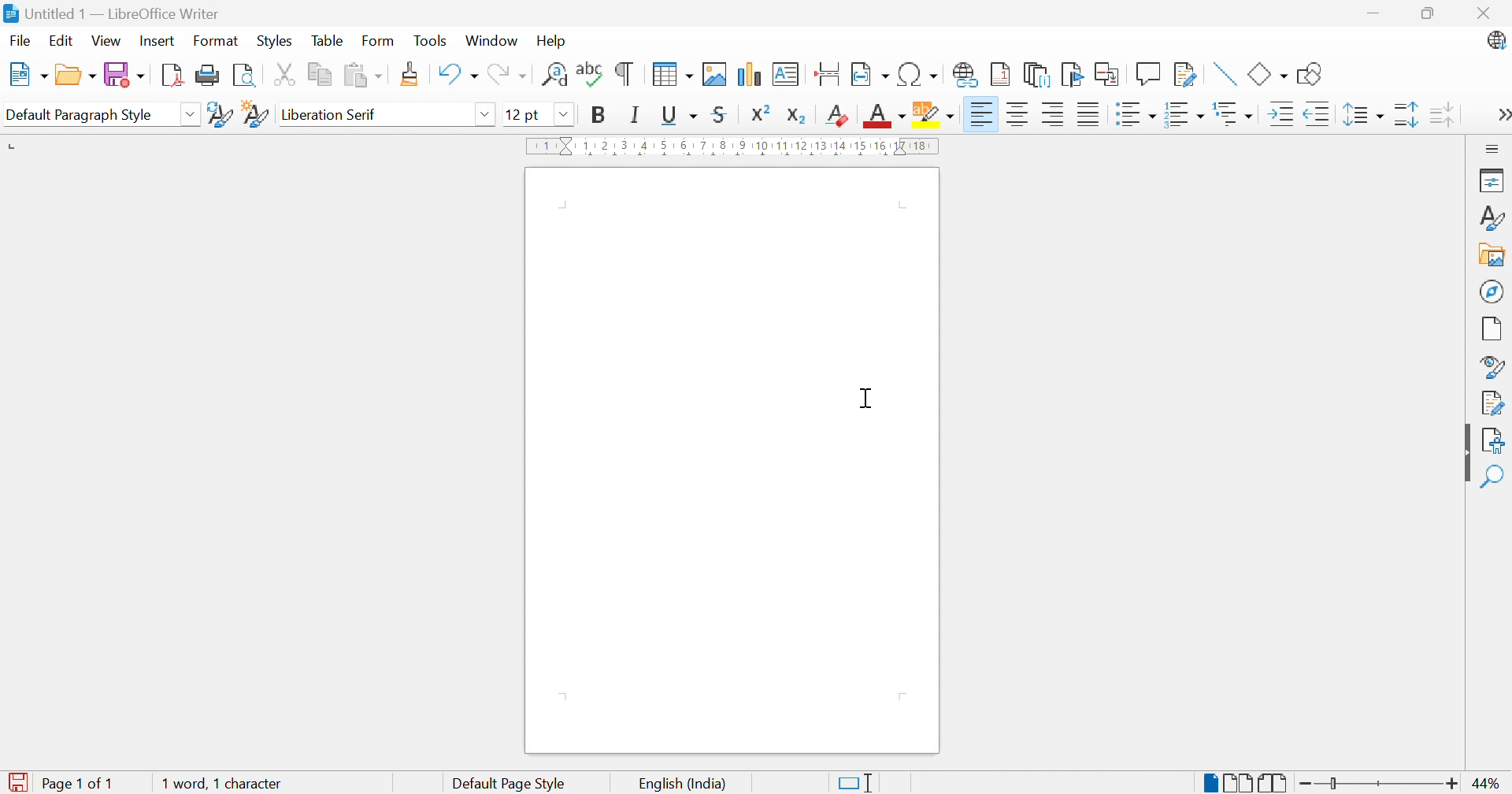  I want to click on View, so click(106, 43).